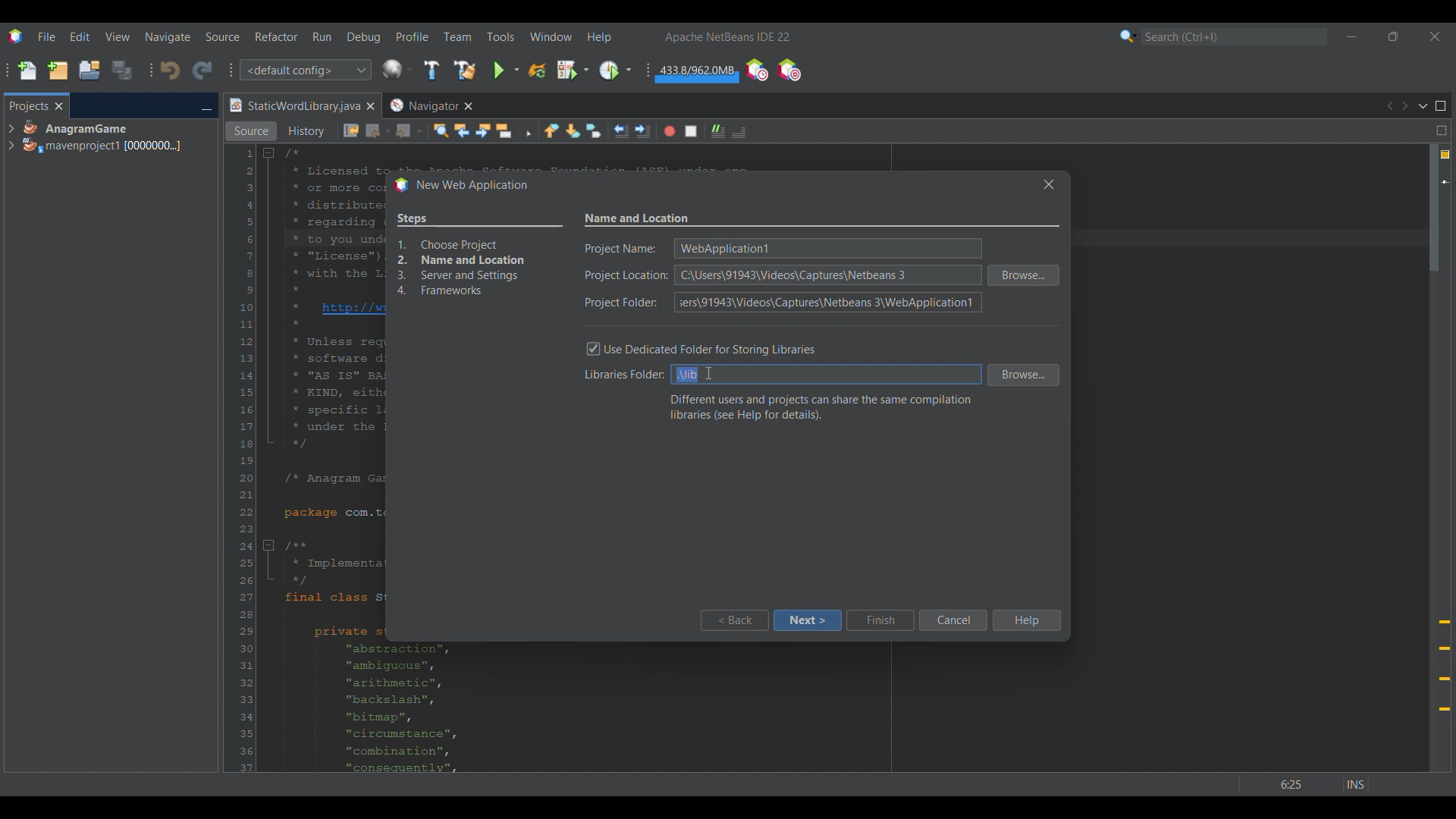  What do you see at coordinates (733, 620) in the screenshot?
I see `Back` at bounding box center [733, 620].